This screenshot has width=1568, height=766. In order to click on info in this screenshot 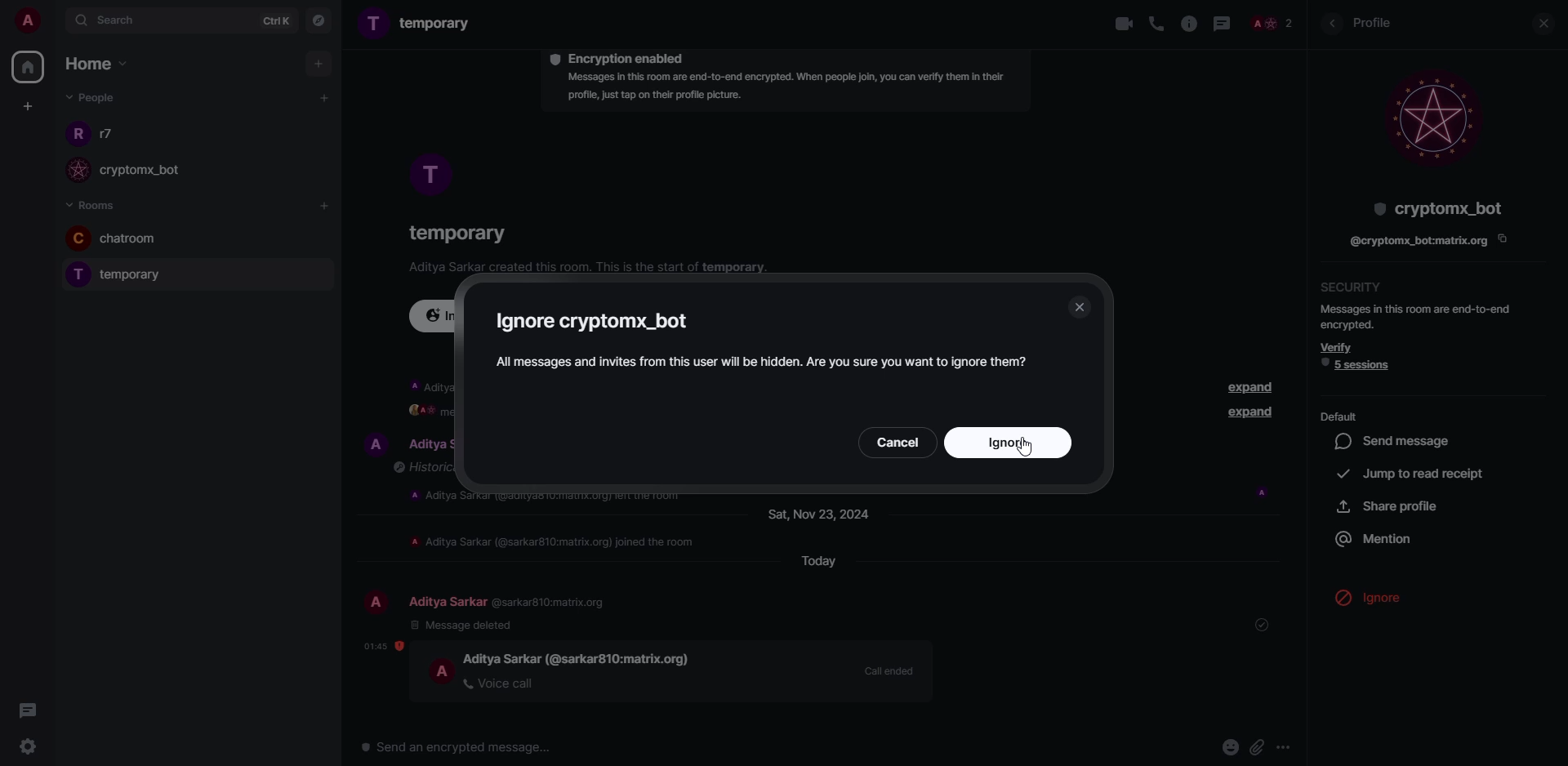, I will do `click(424, 383)`.